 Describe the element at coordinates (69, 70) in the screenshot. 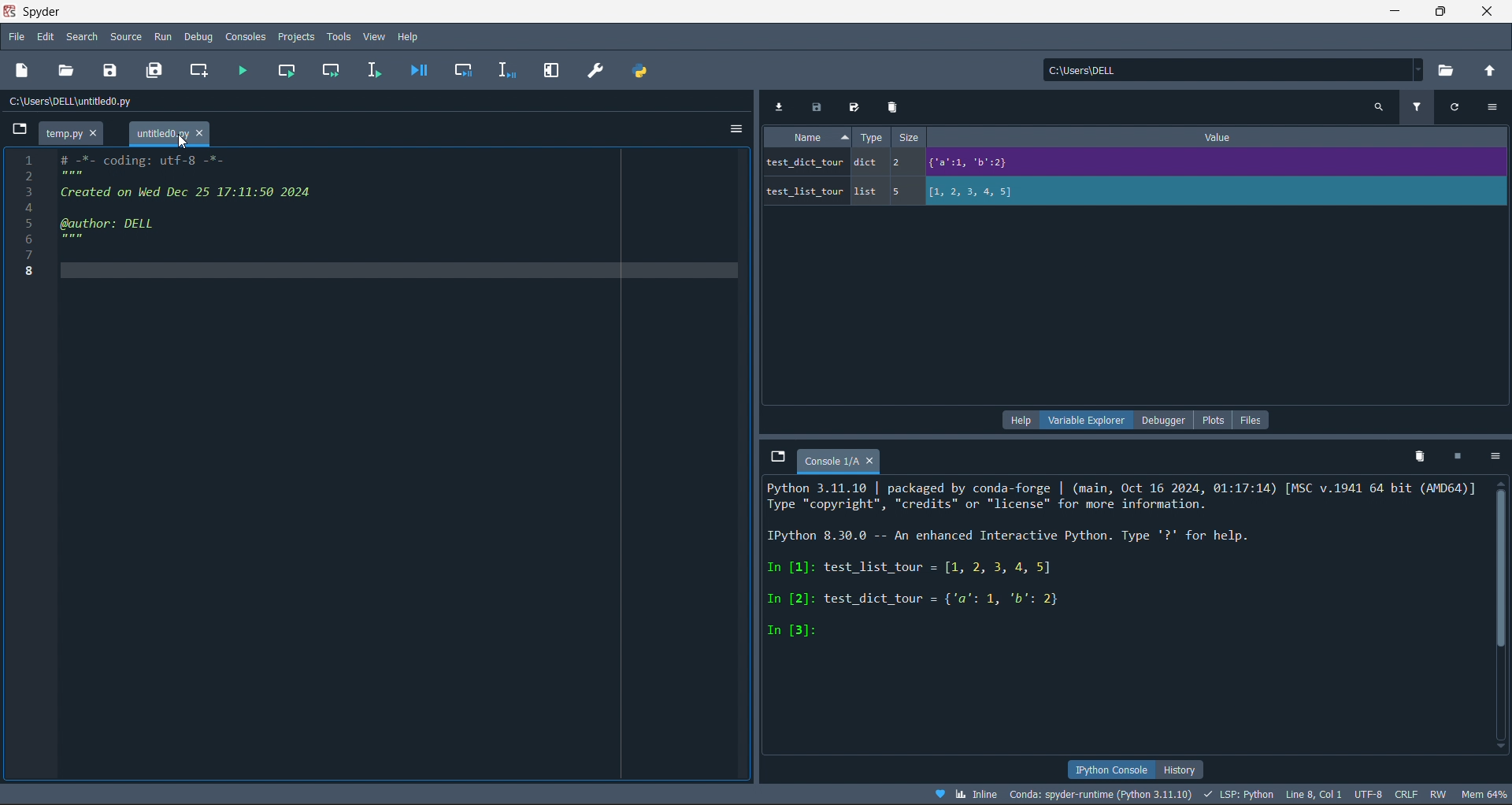

I see `open file` at that location.